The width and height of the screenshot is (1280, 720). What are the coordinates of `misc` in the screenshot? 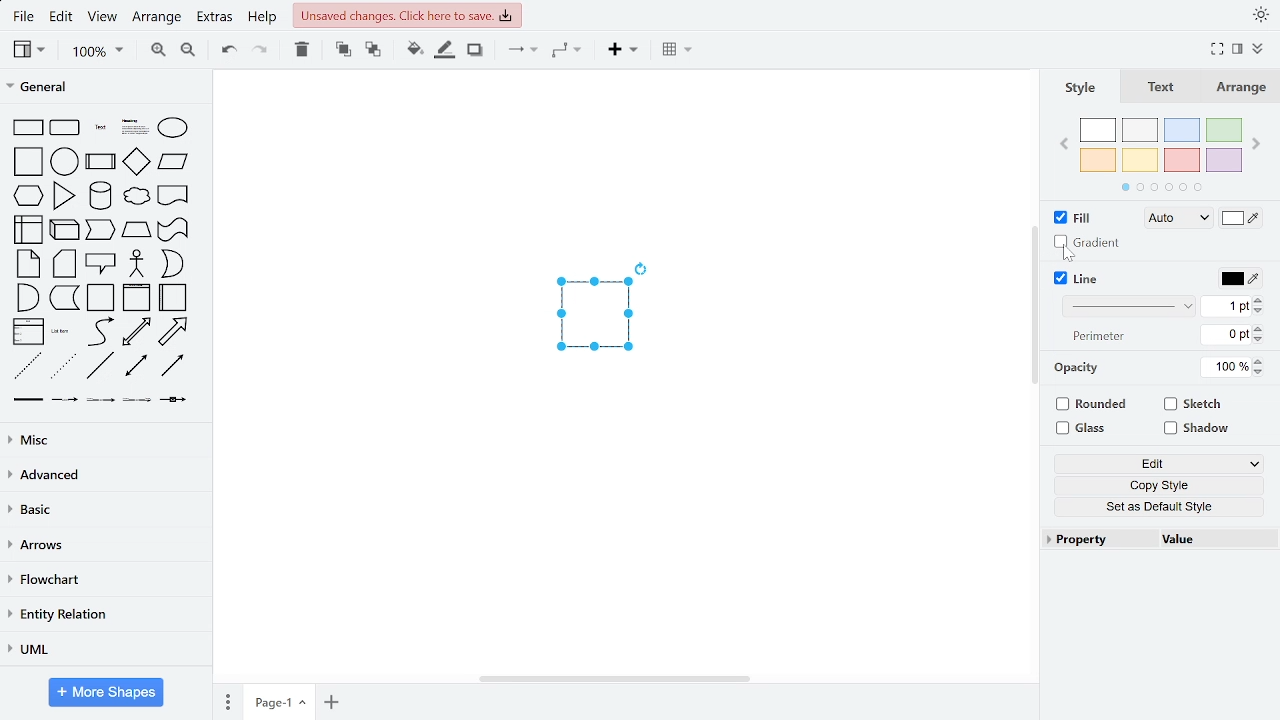 It's located at (102, 442).